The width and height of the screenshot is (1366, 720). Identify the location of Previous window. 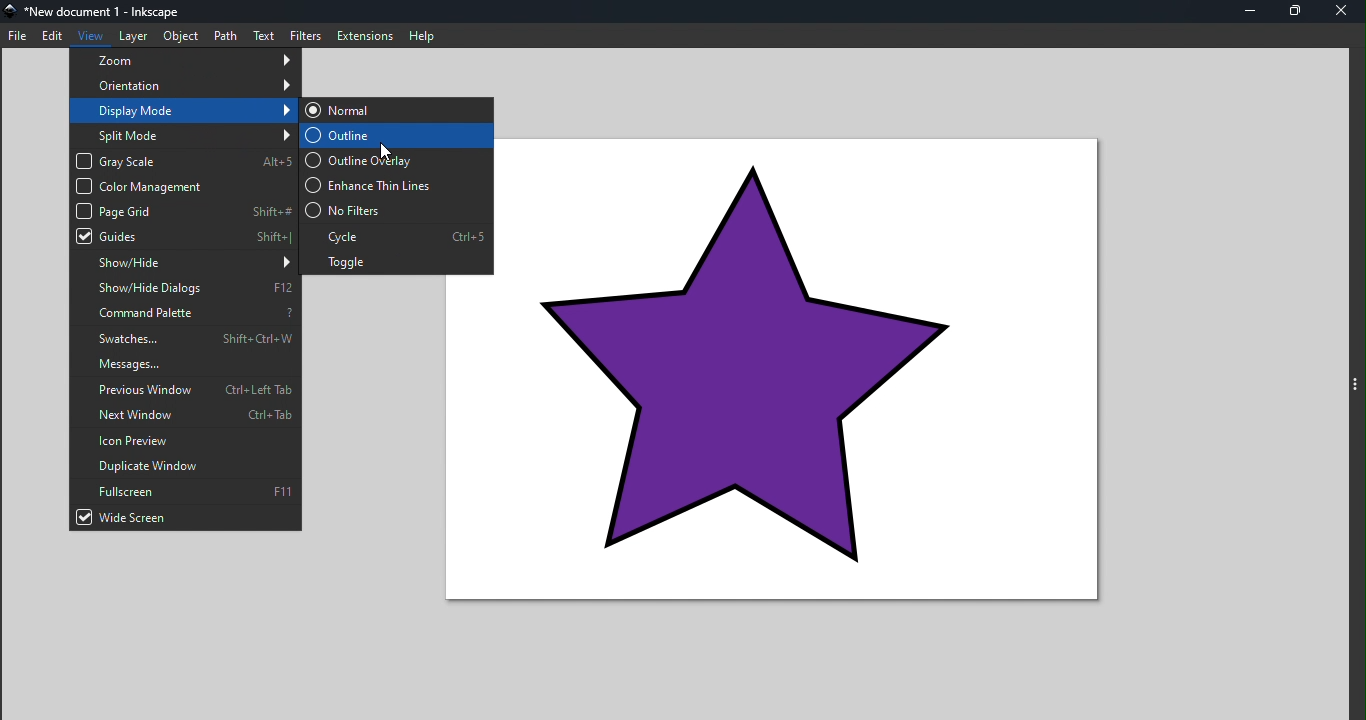
(186, 390).